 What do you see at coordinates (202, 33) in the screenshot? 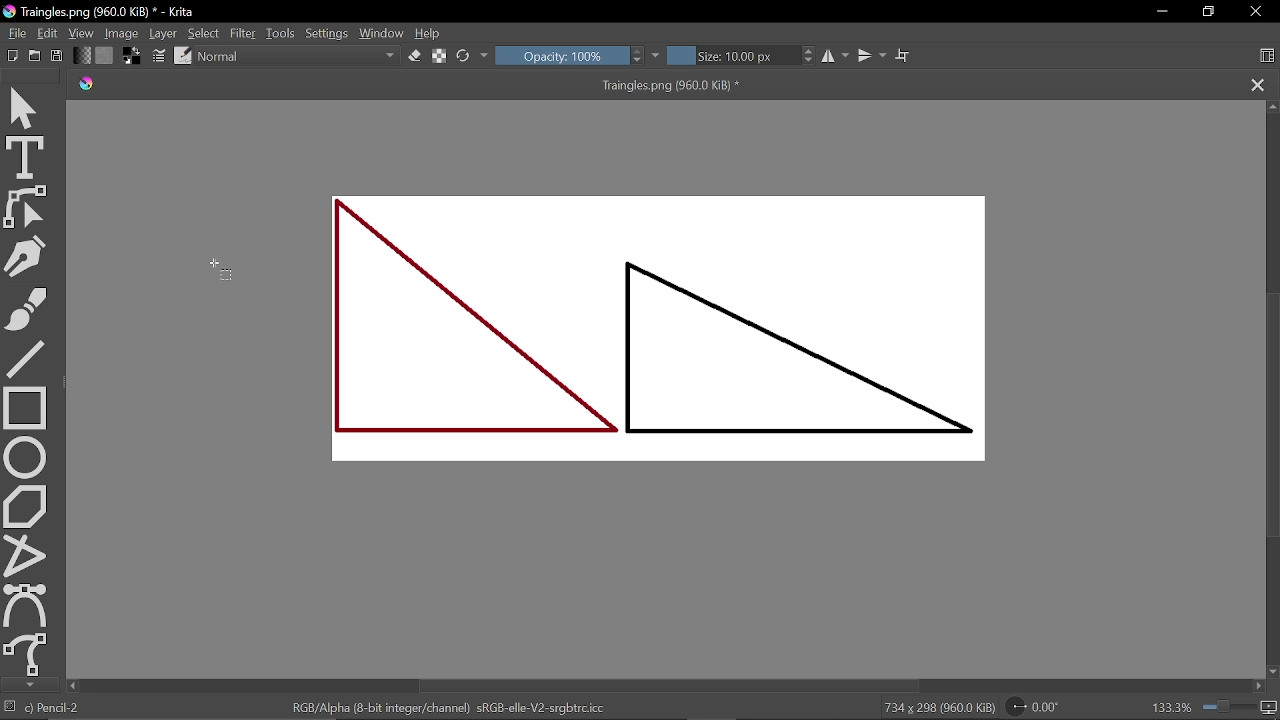
I see `Select` at bounding box center [202, 33].